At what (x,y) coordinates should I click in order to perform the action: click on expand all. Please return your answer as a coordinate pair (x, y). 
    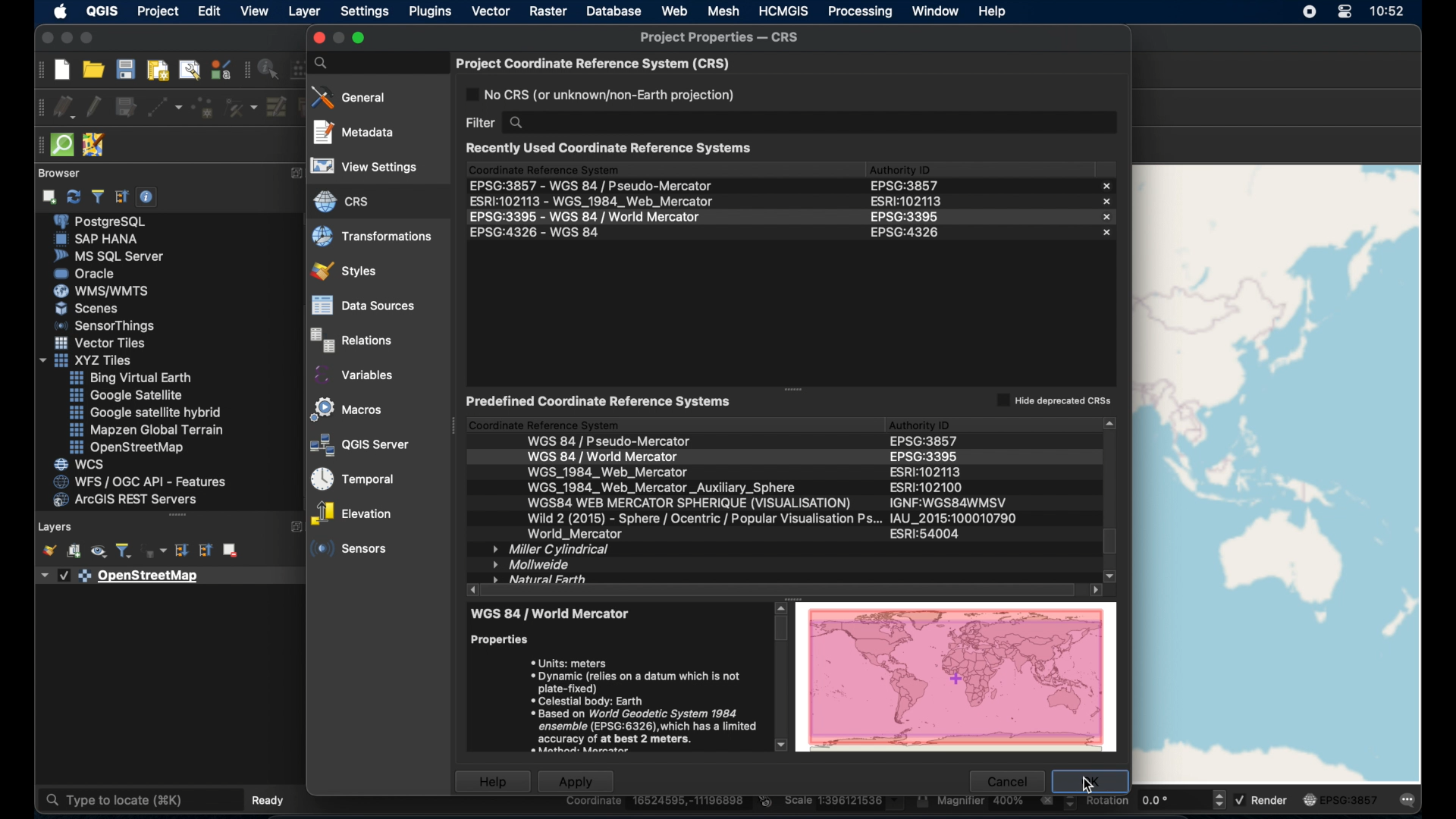
    Looking at the image, I should click on (181, 551).